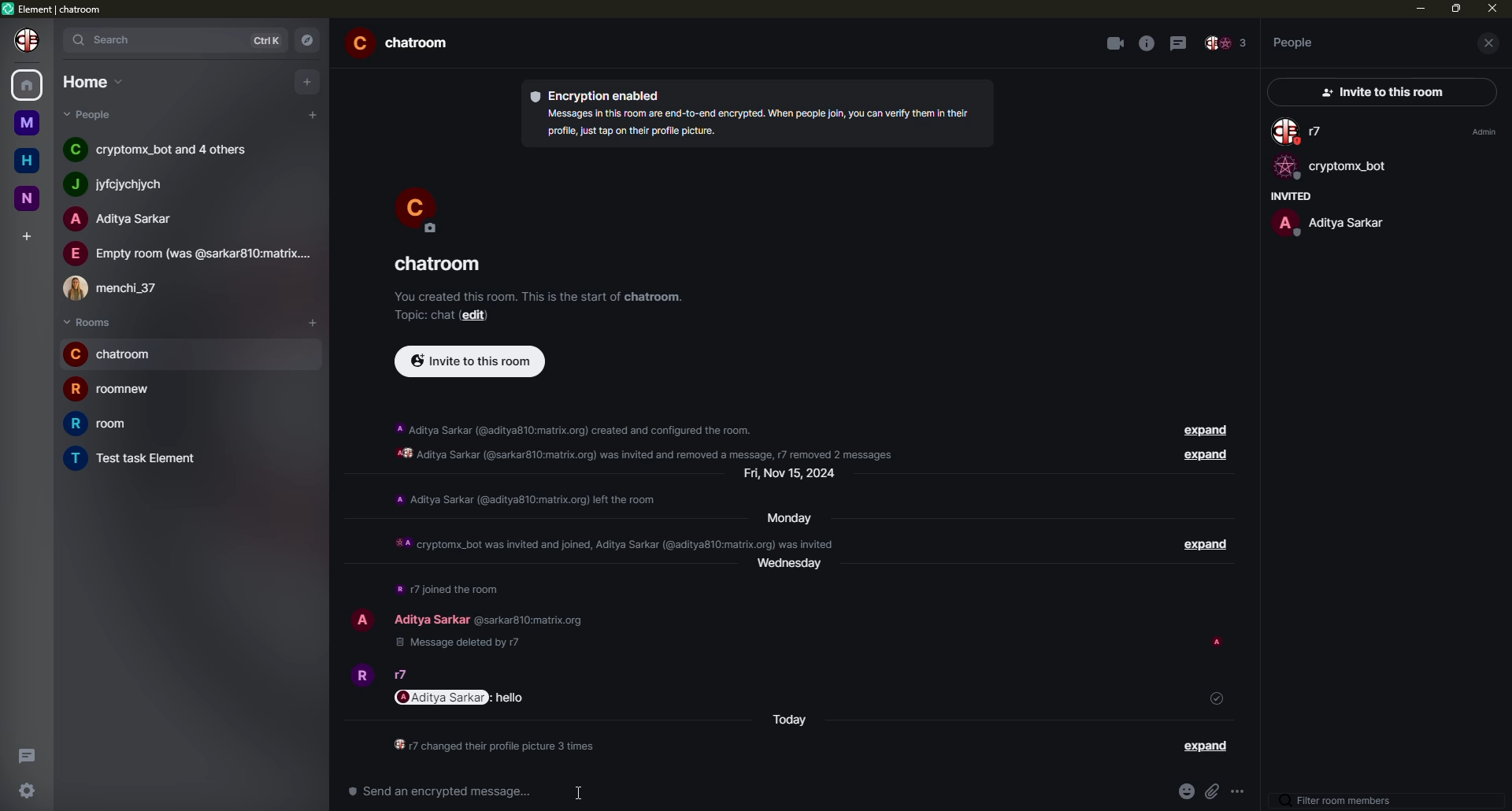 Image resolution: width=1512 pixels, height=811 pixels. I want to click on expand, so click(1200, 457).